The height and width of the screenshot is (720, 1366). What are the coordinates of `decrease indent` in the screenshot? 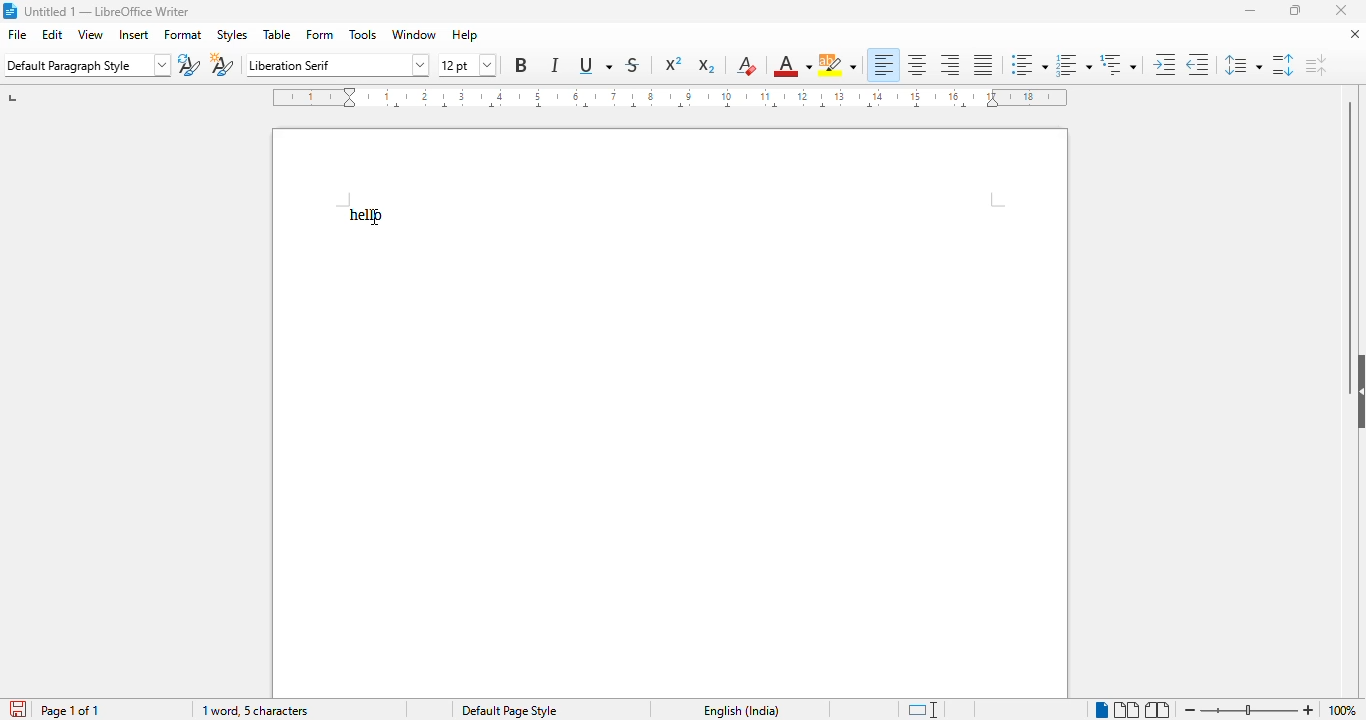 It's located at (1197, 64).